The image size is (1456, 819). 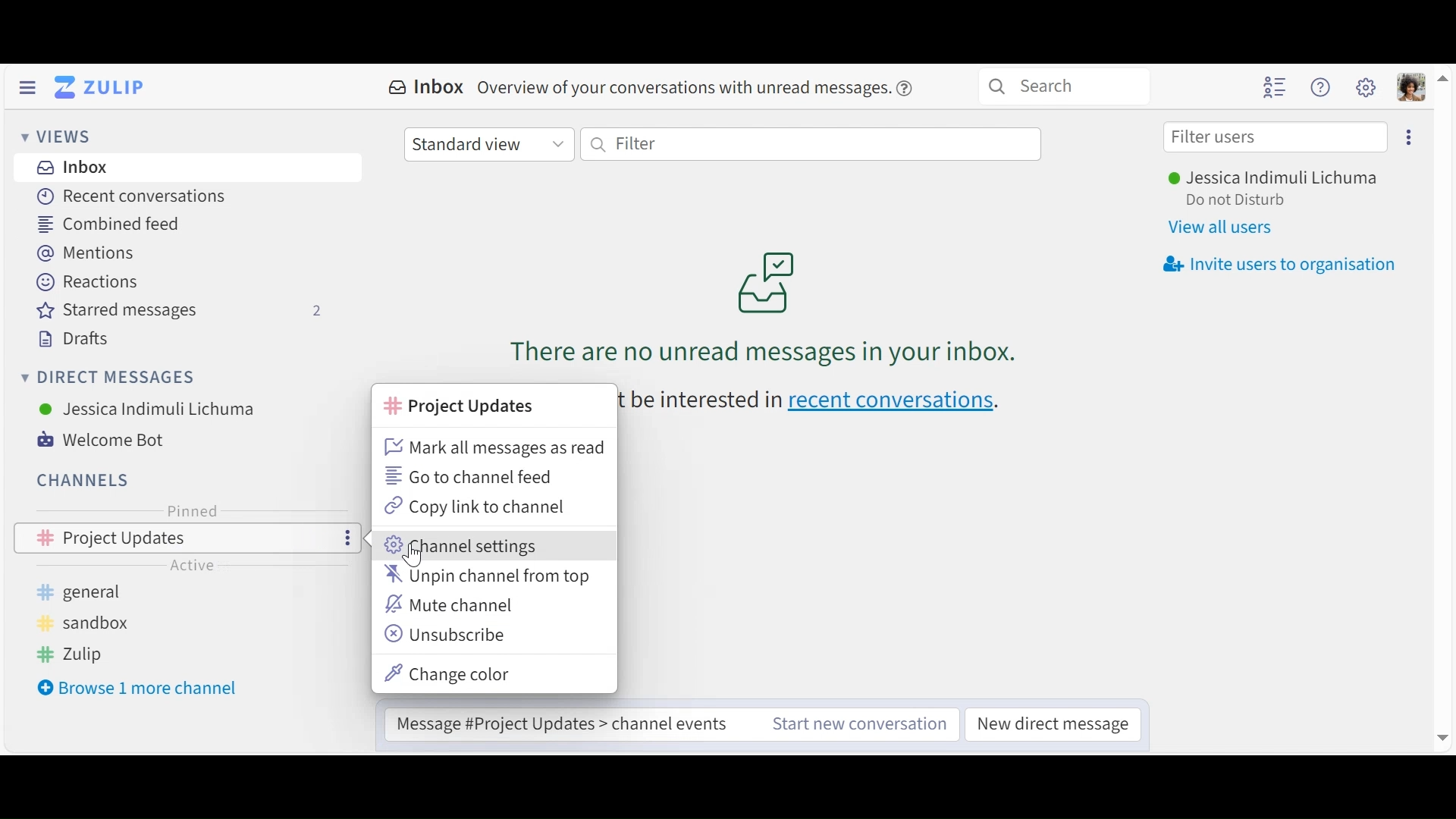 I want to click on Copy to link, so click(x=475, y=507).